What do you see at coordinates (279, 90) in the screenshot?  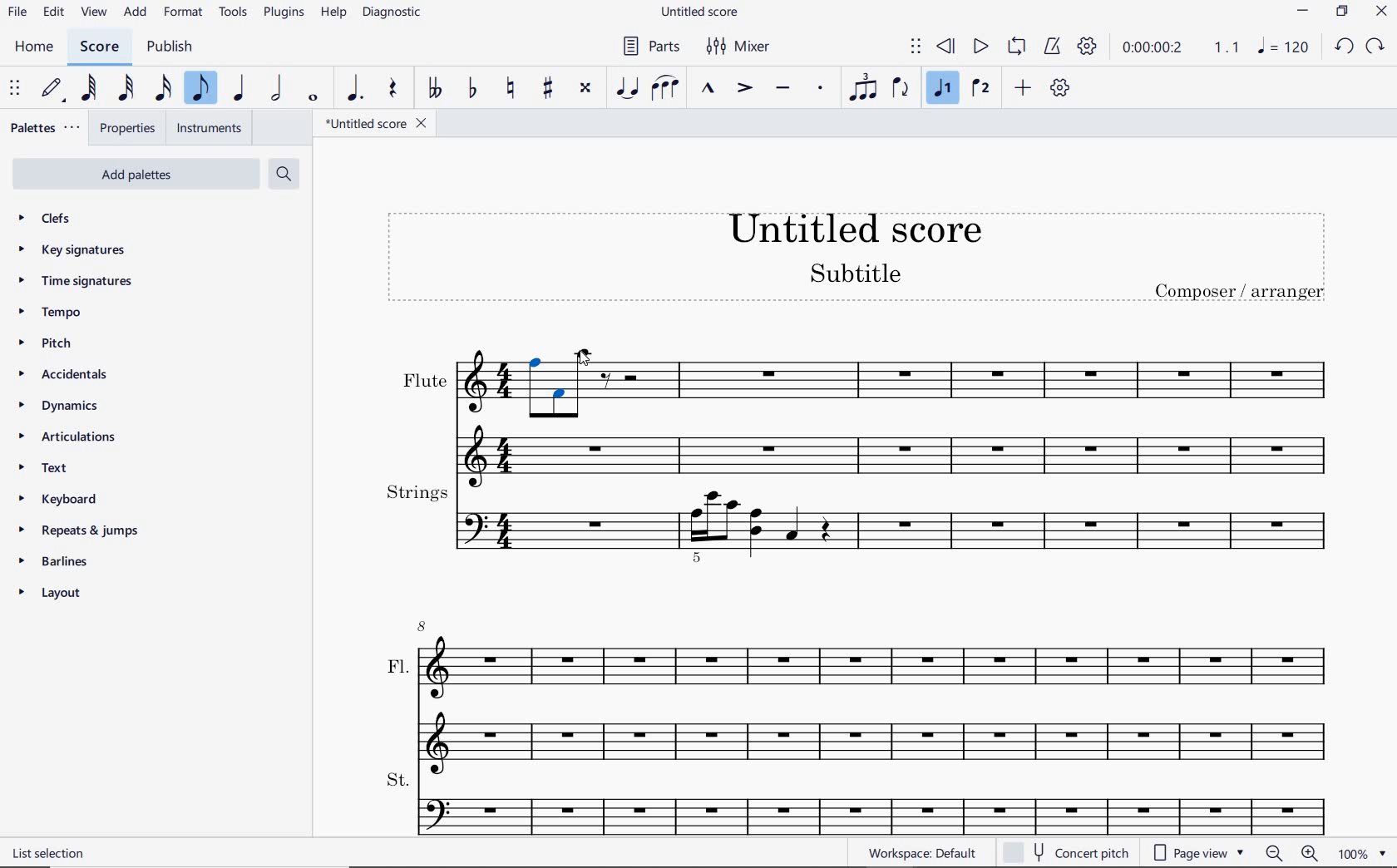 I see `HALF NOTE` at bounding box center [279, 90].